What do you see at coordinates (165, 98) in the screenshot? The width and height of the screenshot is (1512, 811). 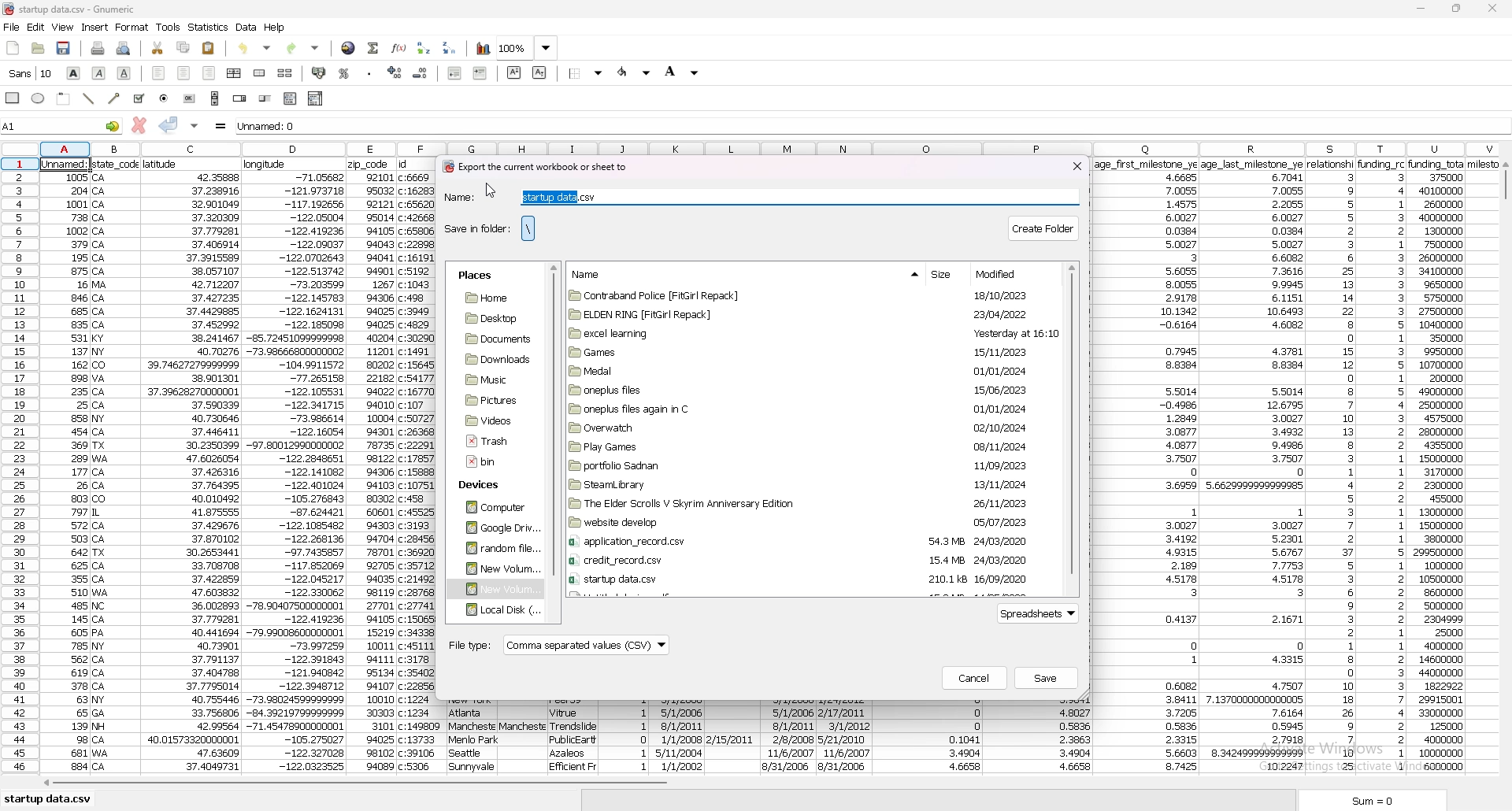 I see `radio button` at bounding box center [165, 98].